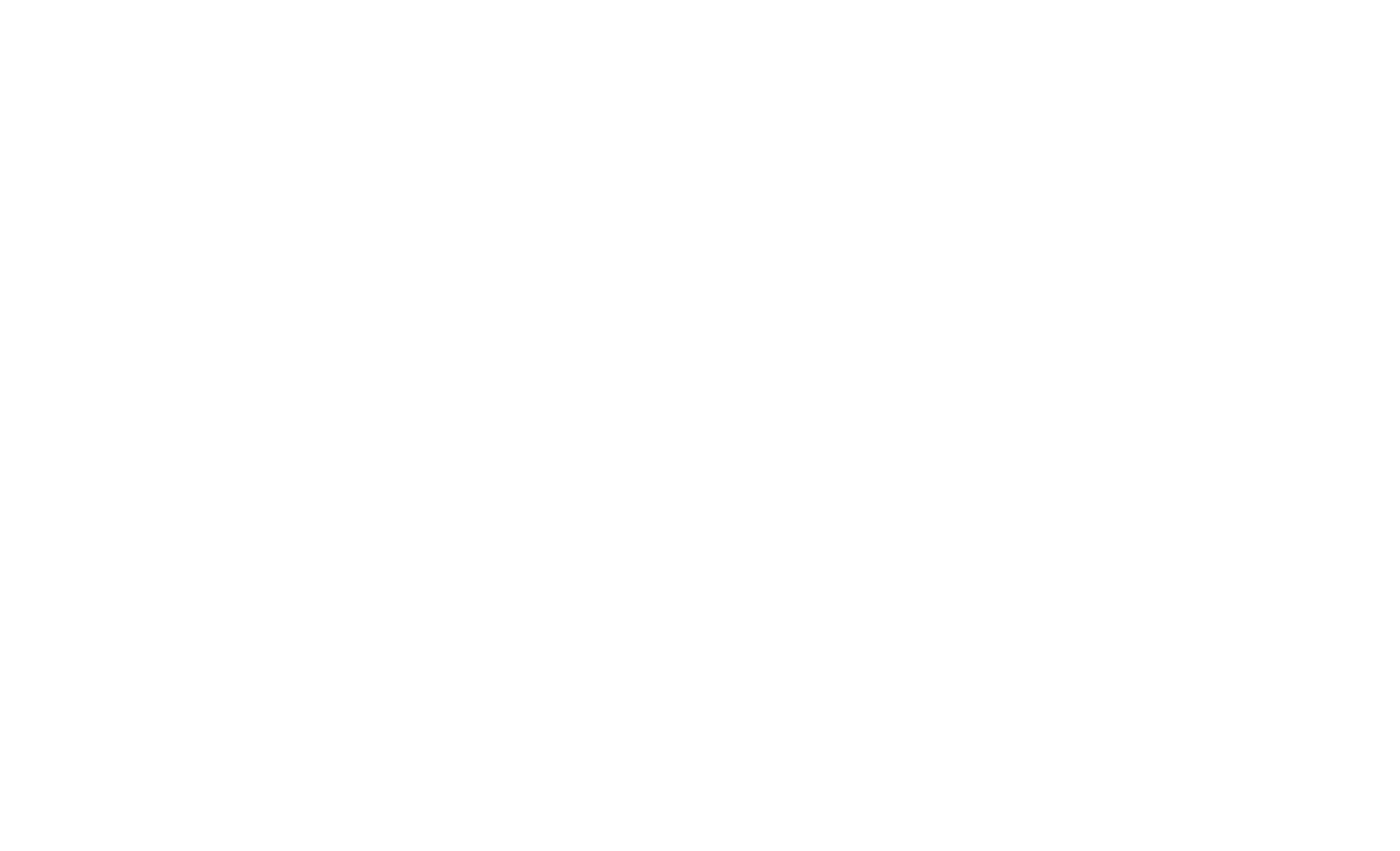  I want to click on Controls, so click(1270, 562).